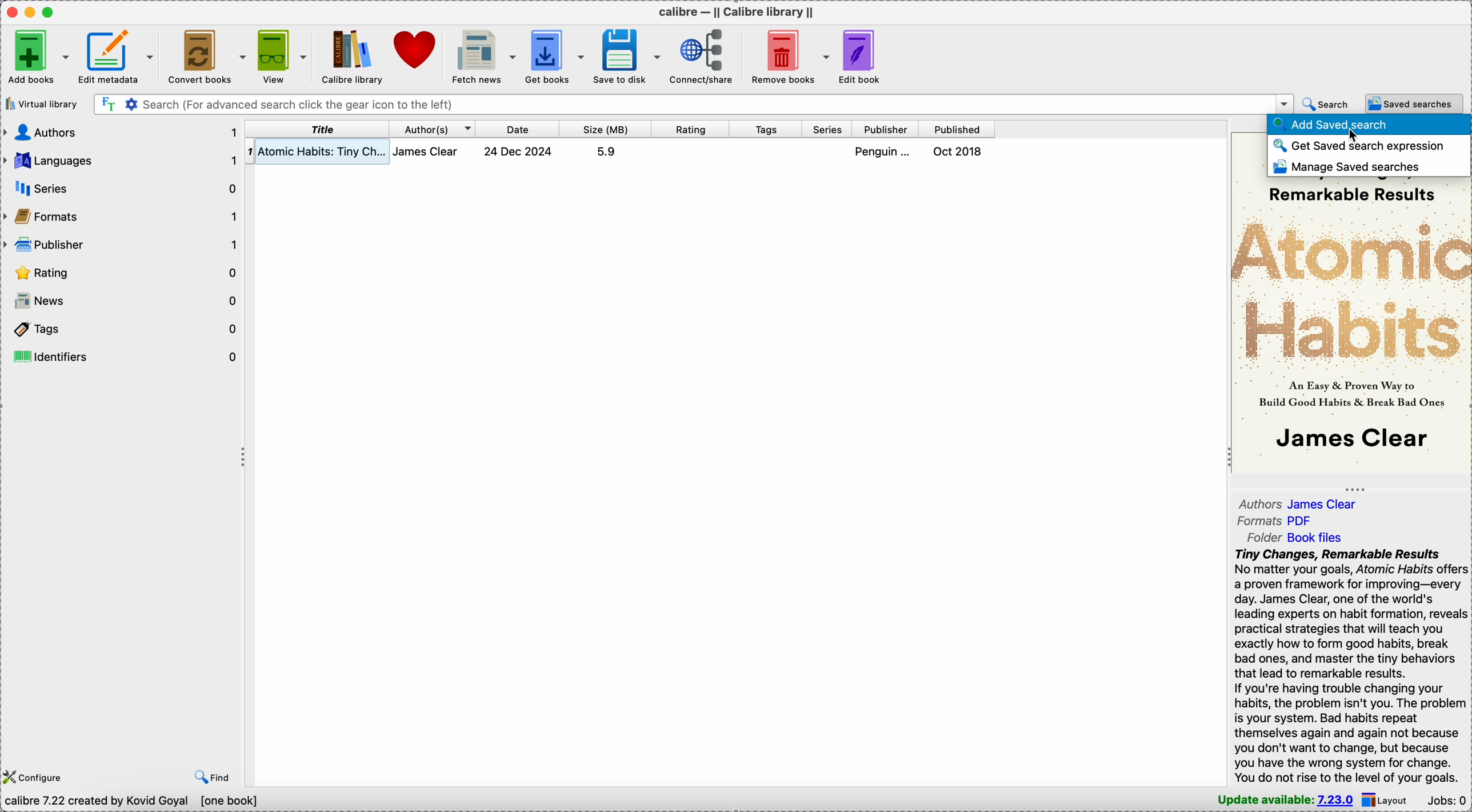 This screenshot has height=812, width=1472. Describe the element at coordinates (41, 104) in the screenshot. I see `virtual library` at that location.